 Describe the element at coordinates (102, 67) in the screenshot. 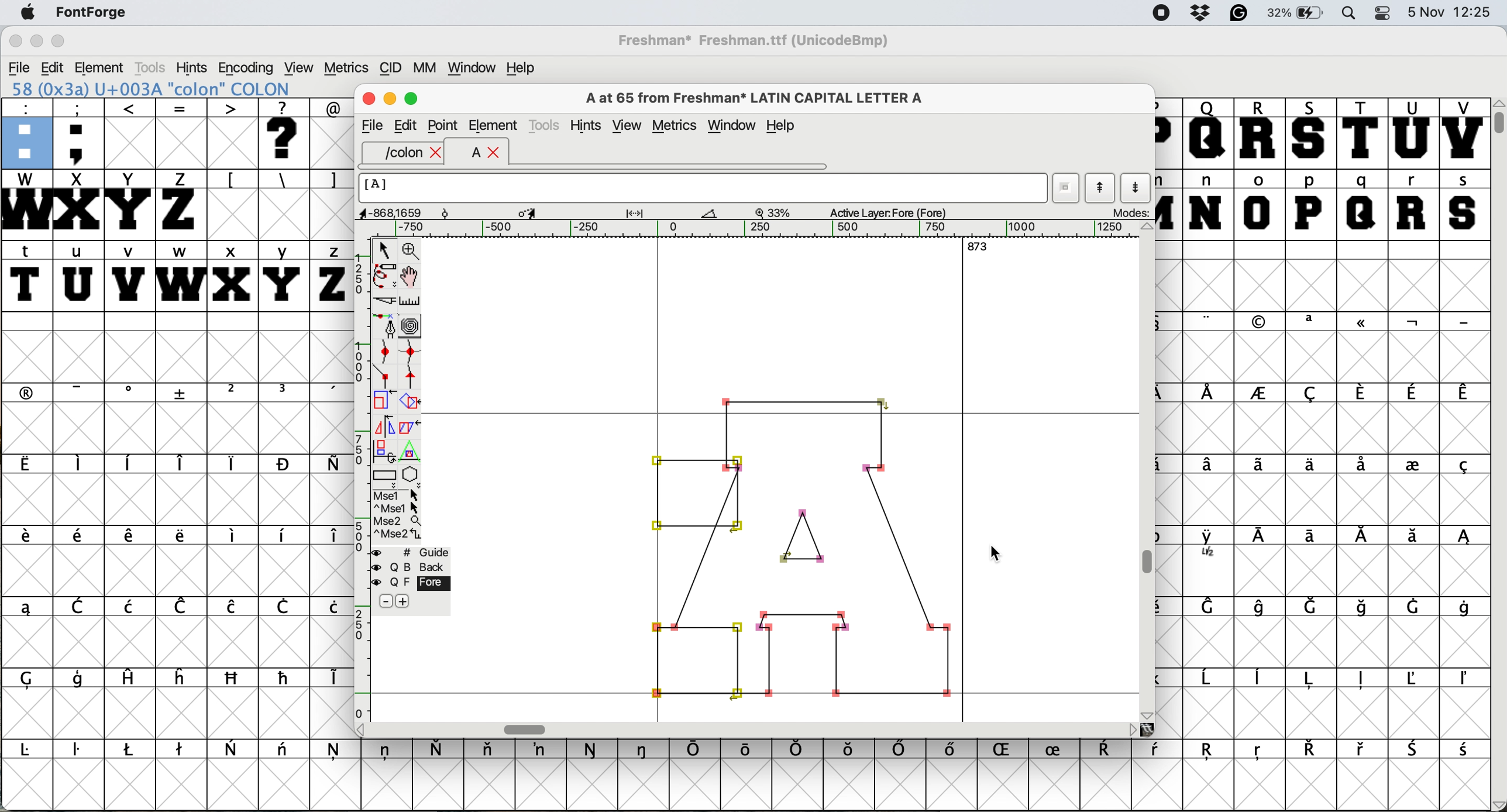

I see `element` at that location.